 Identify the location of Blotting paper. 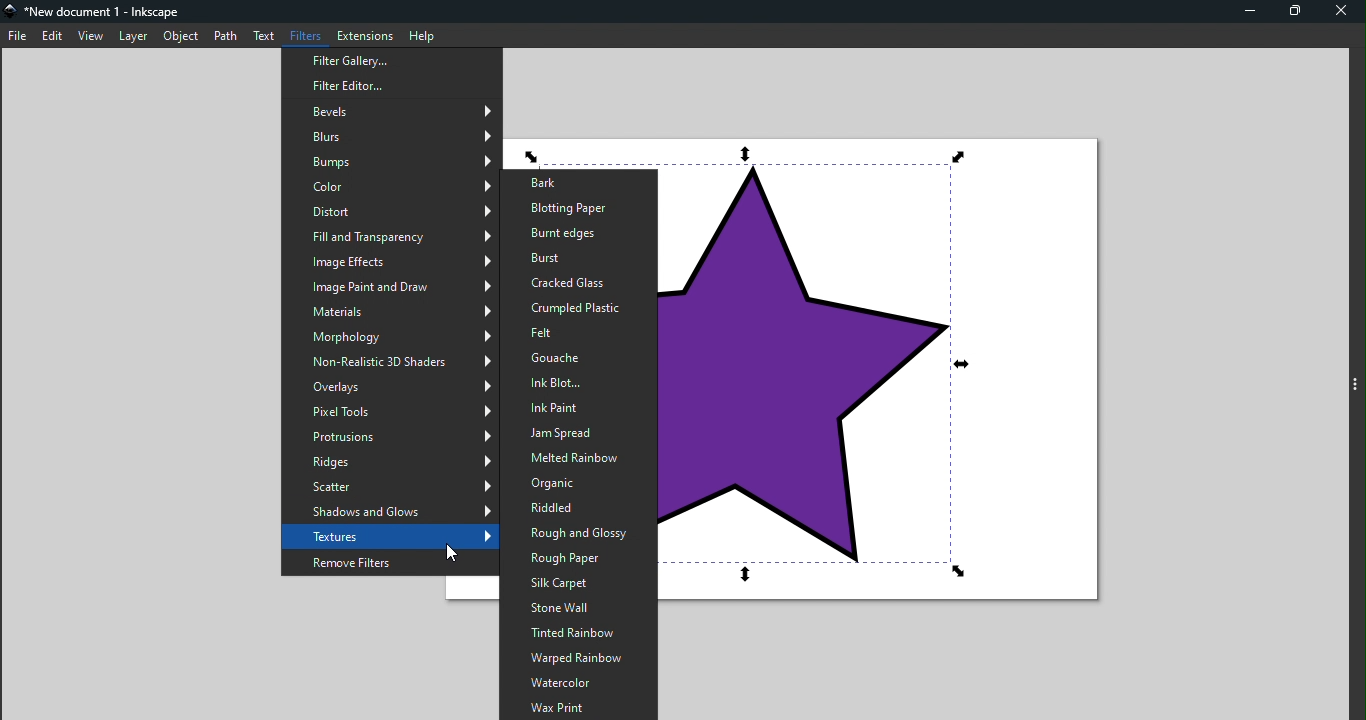
(578, 209).